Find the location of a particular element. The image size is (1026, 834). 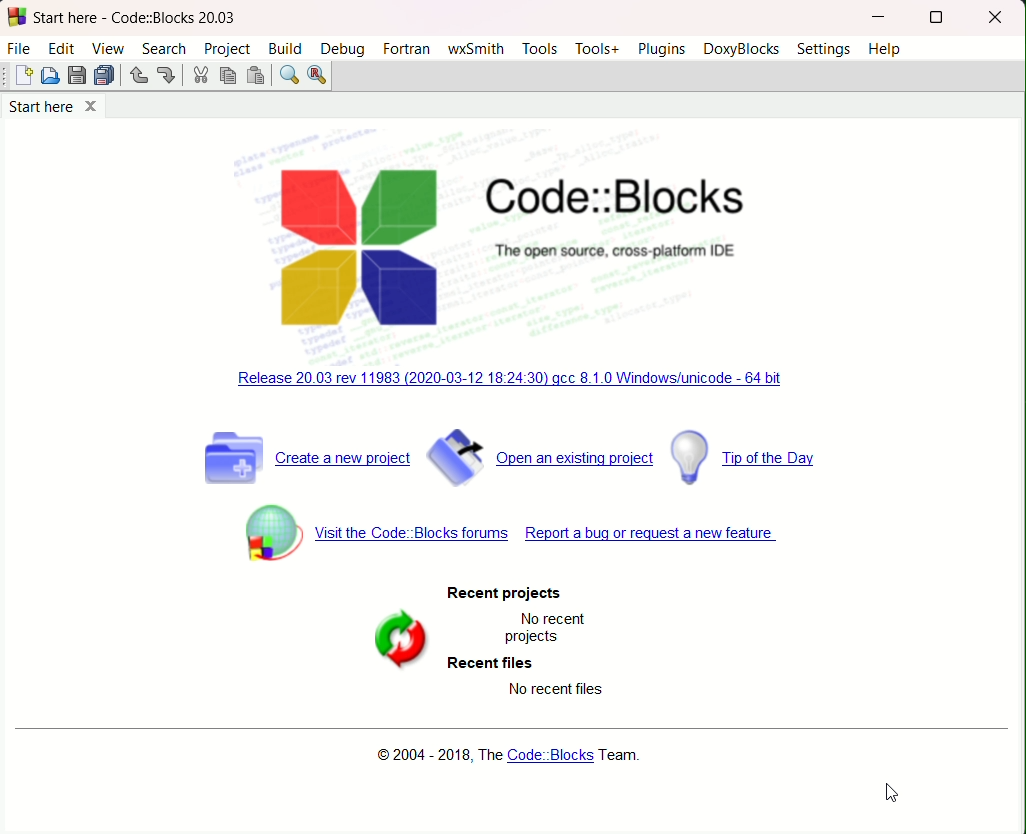

fortran is located at coordinates (406, 48).